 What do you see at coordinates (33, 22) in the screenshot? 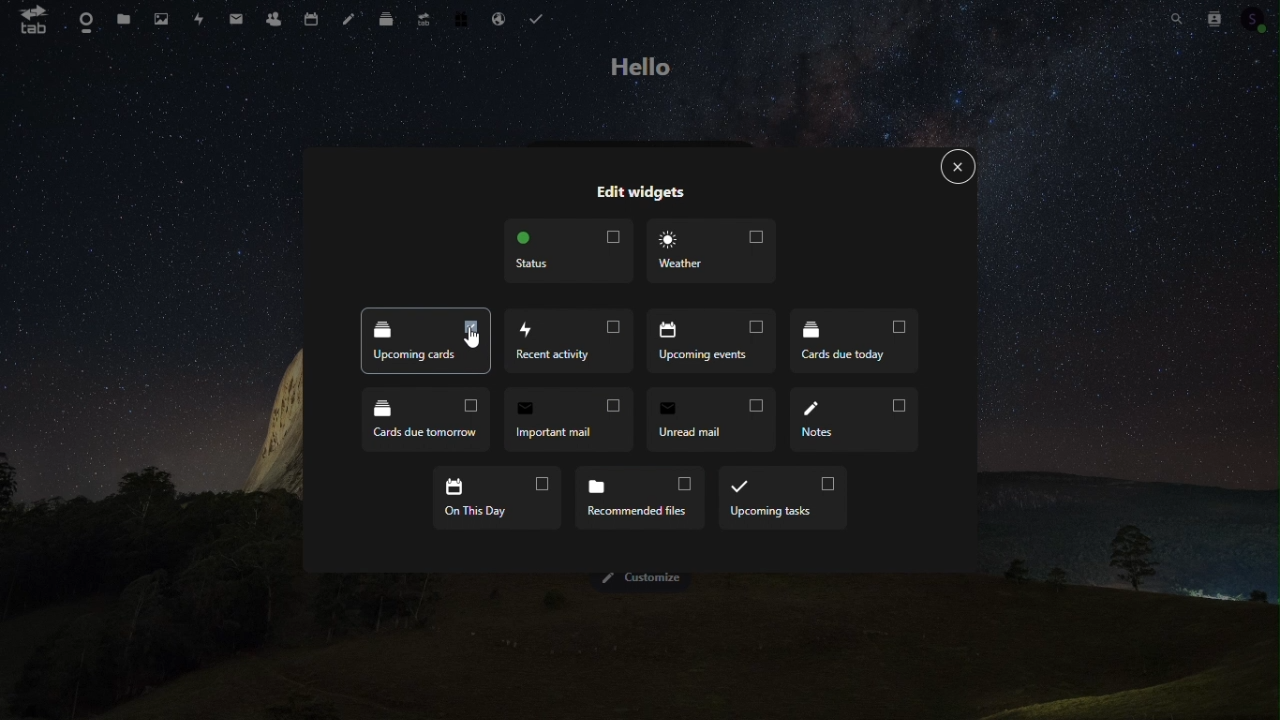
I see `tab` at bounding box center [33, 22].